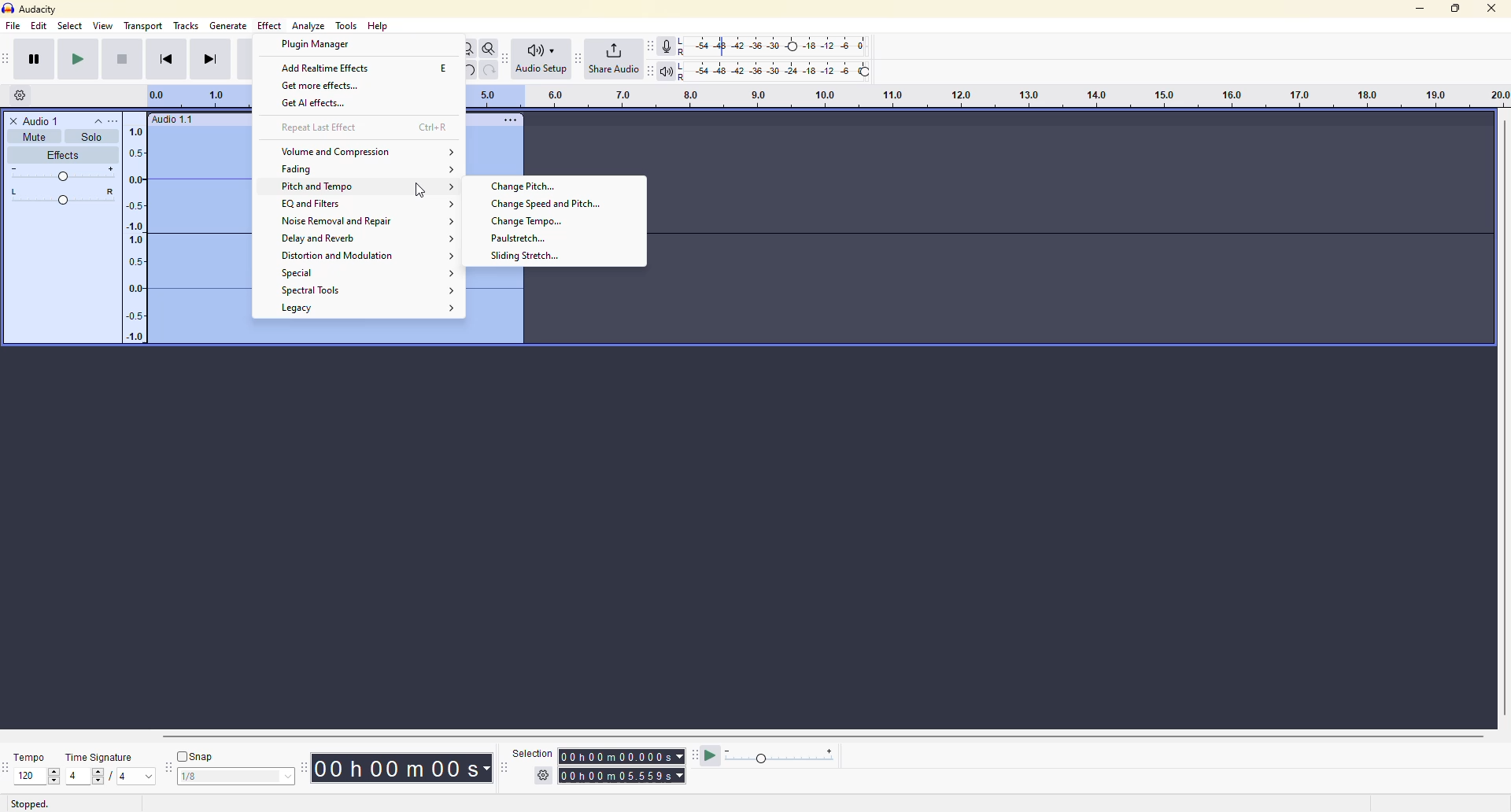 The height and width of the screenshot is (812, 1511). Describe the element at coordinates (622, 752) in the screenshot. I see `time` at that location.